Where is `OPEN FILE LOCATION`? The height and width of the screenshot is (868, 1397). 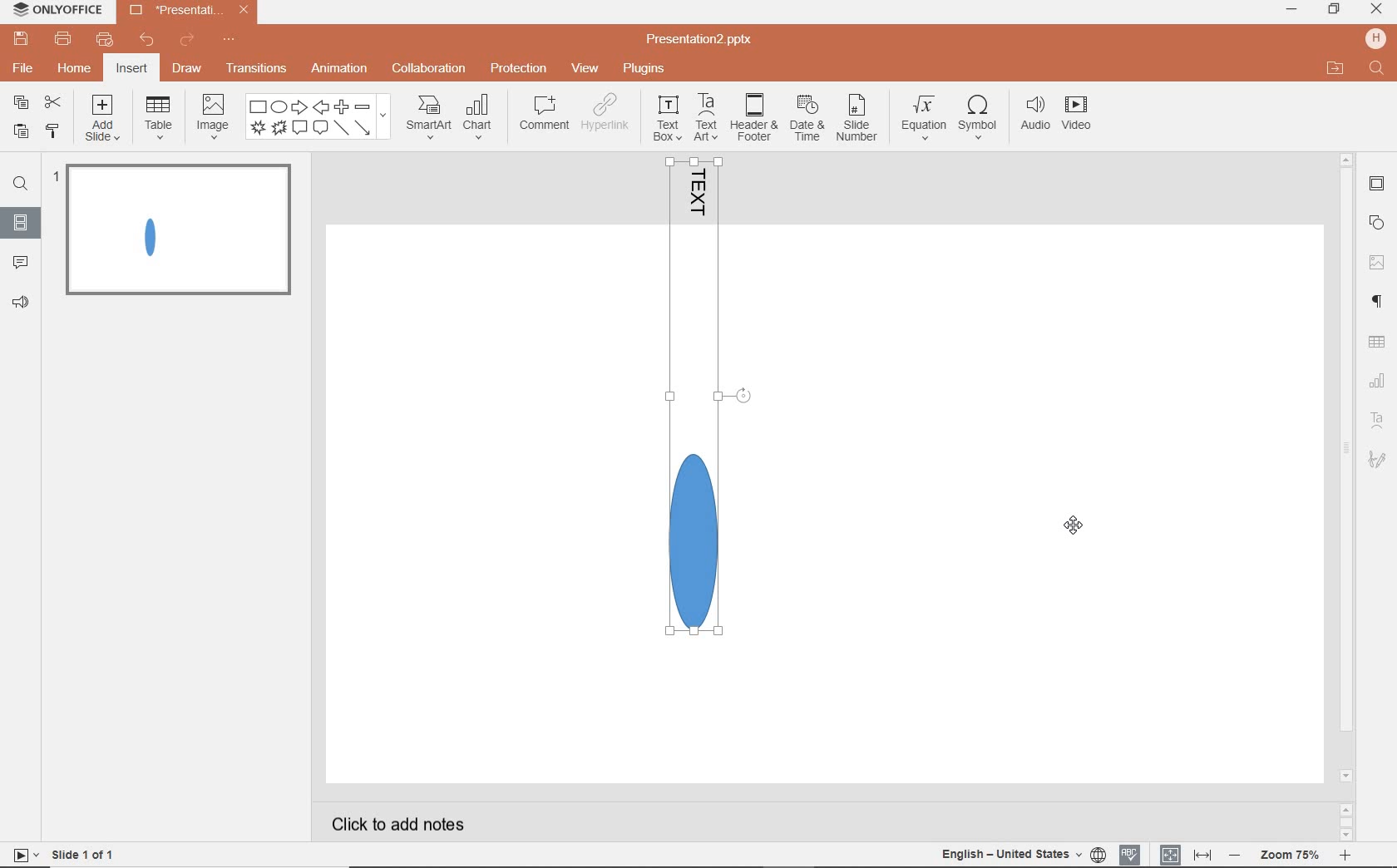
OPEN FILE LOCATION is located at coordinates (1333, 66).